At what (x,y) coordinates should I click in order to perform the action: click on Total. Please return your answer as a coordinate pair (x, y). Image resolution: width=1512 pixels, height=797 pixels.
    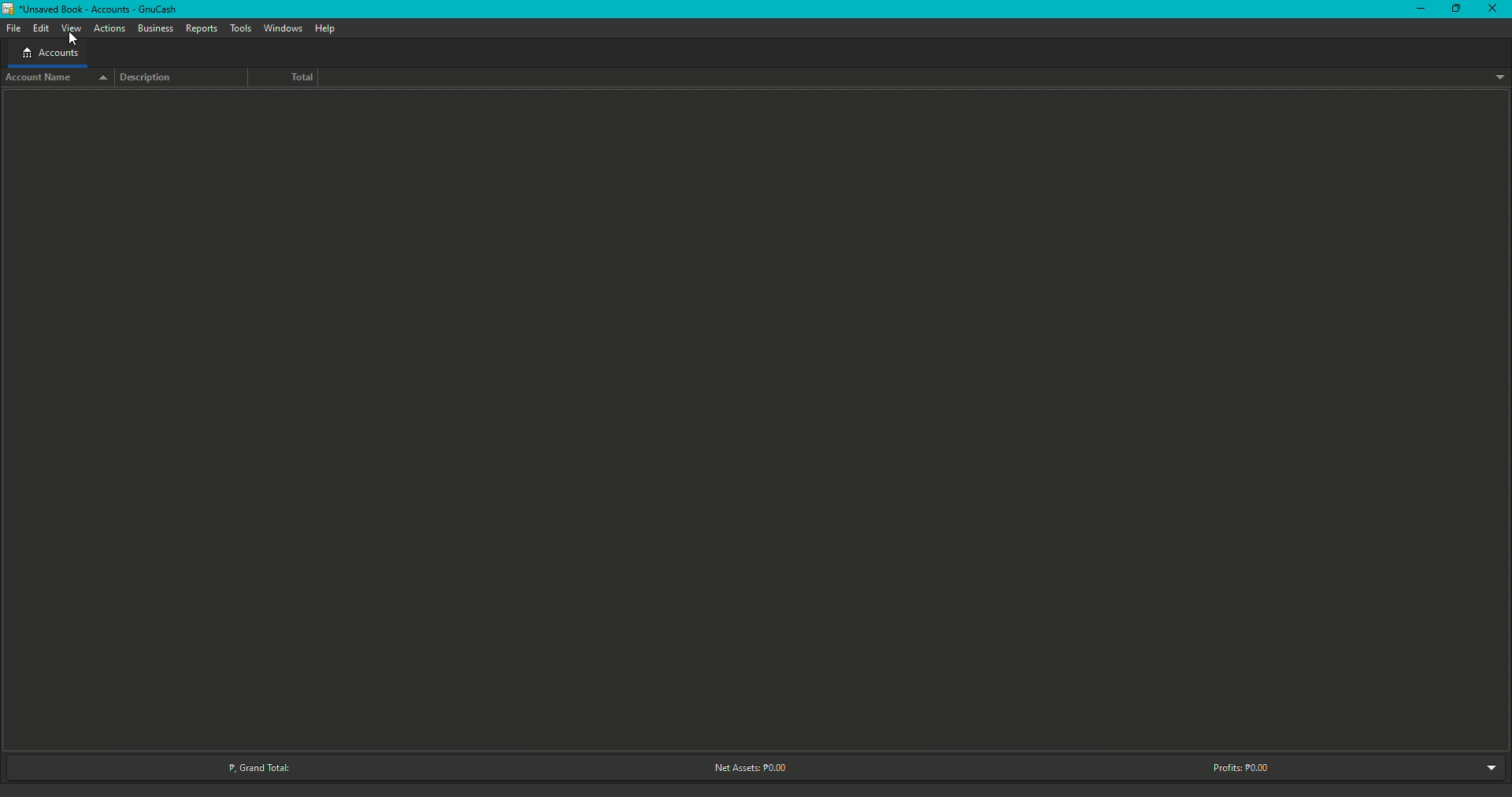
    Looking at the image, I should click on (291, 77).